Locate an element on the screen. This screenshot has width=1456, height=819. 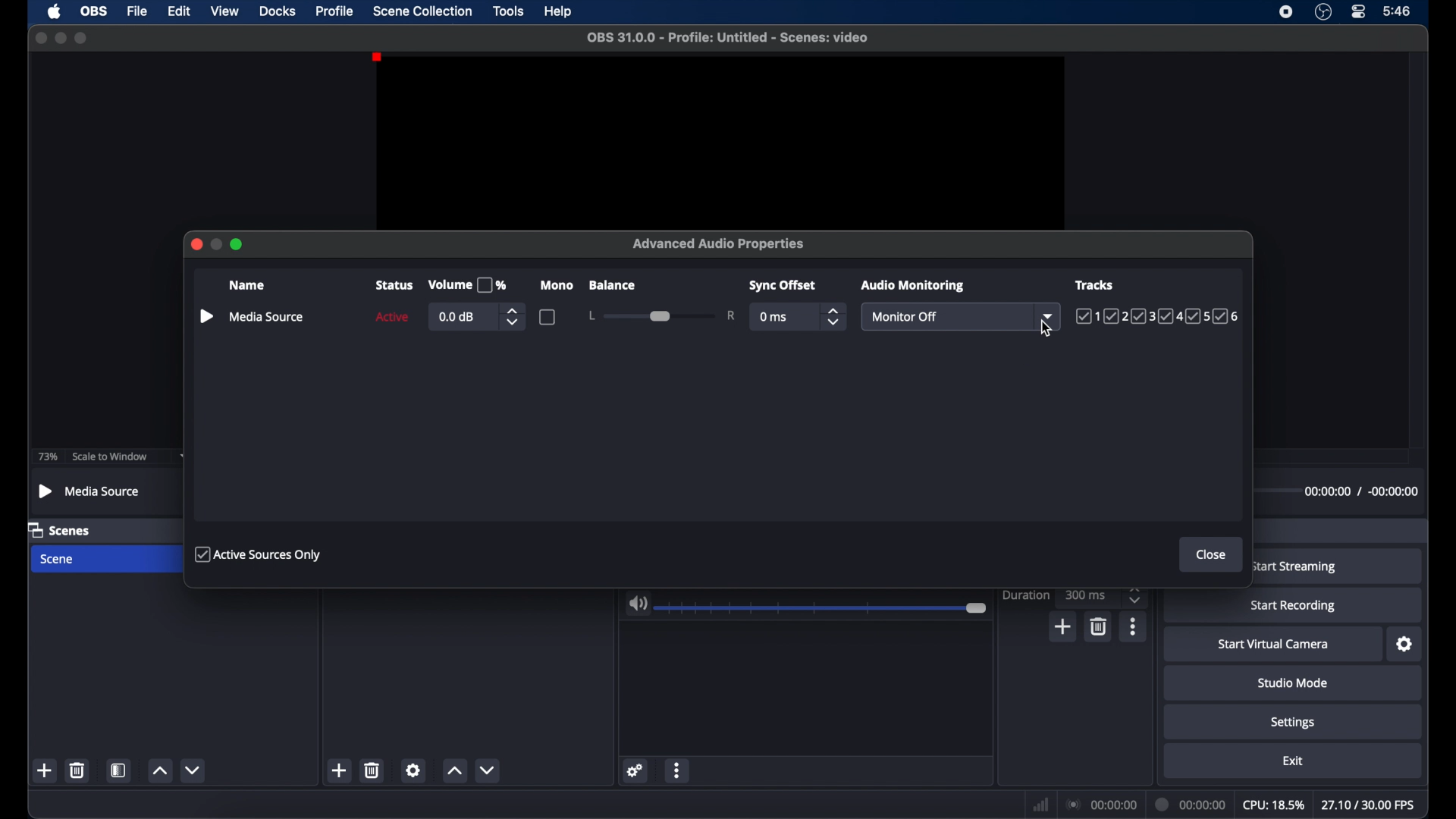
monitor off is located at coordinates (906, 317).